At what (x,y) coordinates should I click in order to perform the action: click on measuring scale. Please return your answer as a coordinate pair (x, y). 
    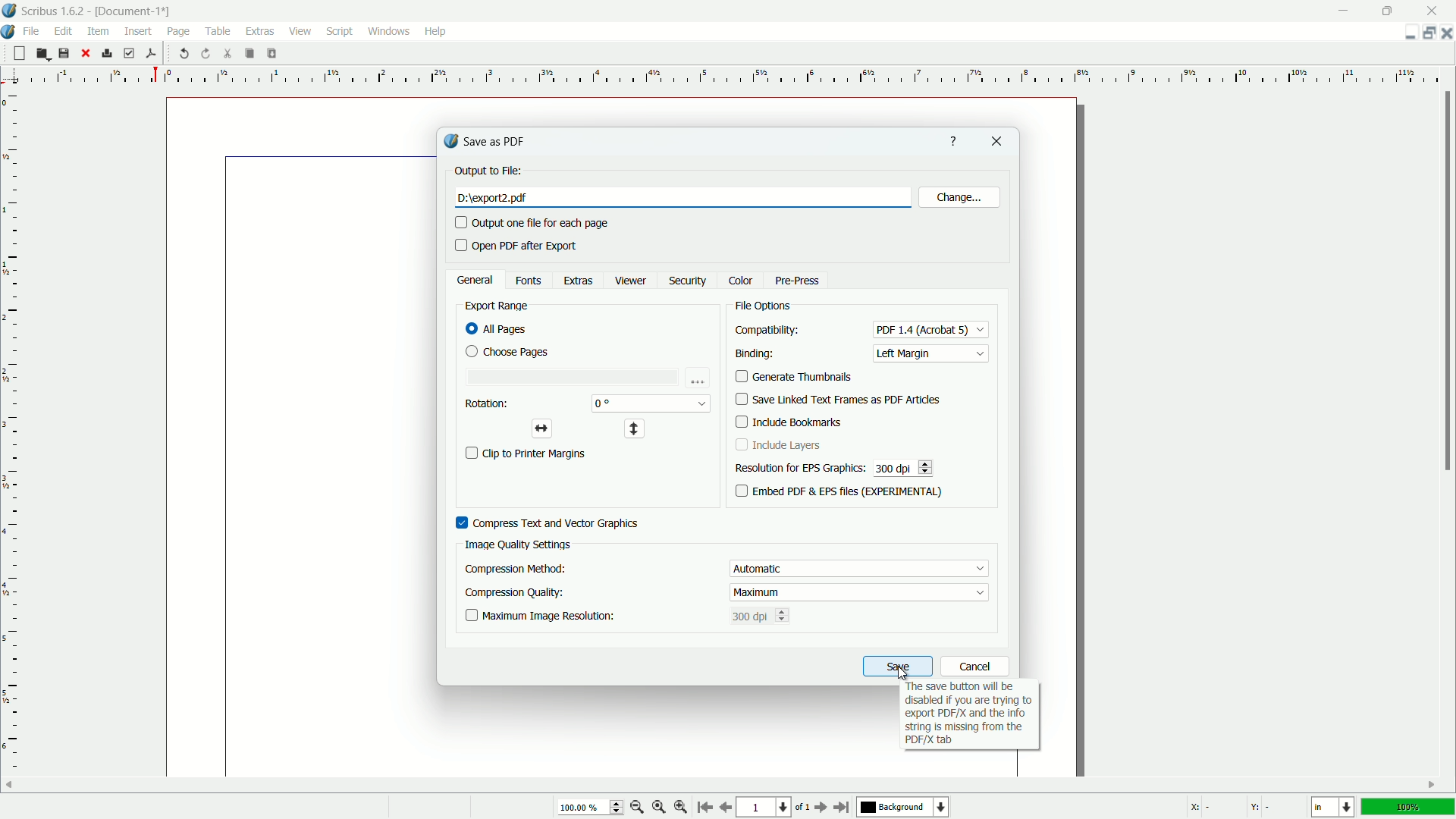
    Looking at the image, I should click on (15, 421).